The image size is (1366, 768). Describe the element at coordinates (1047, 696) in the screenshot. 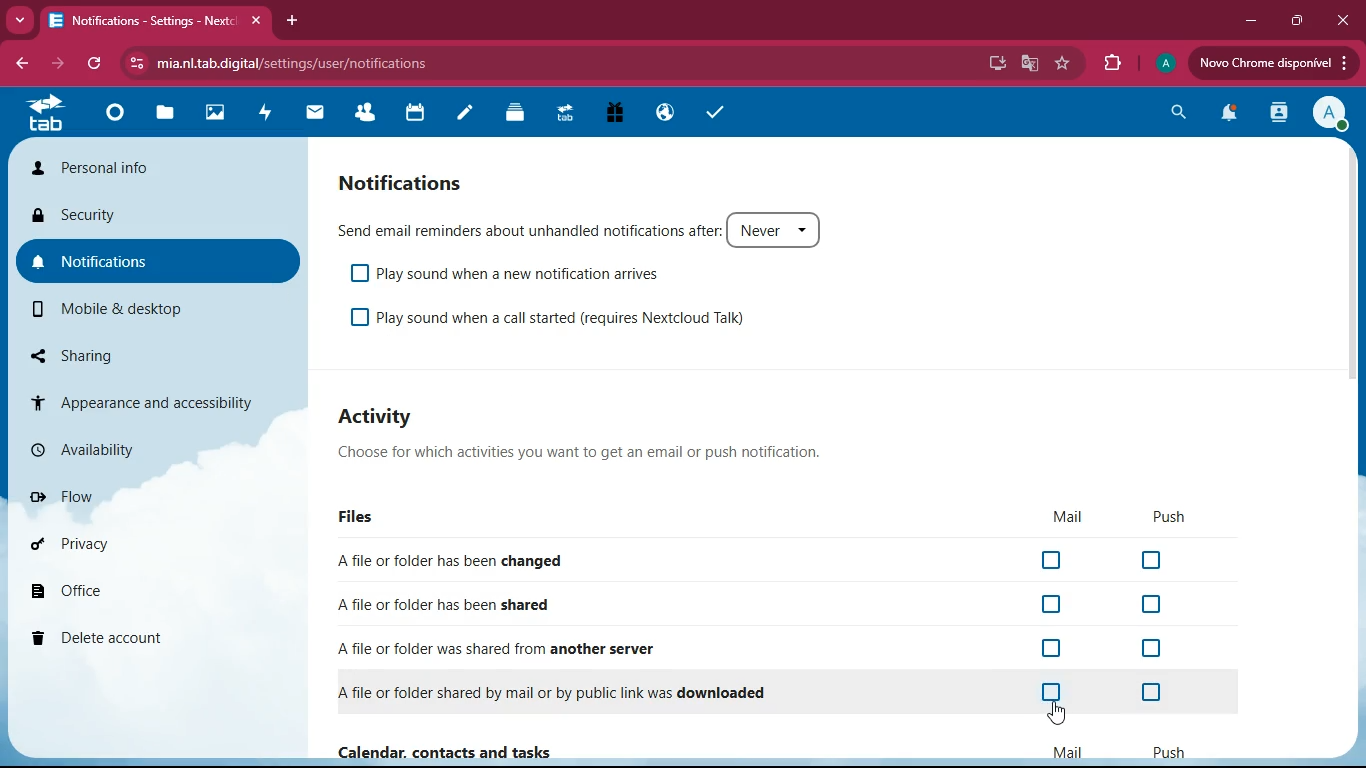

I see `off` at that location.